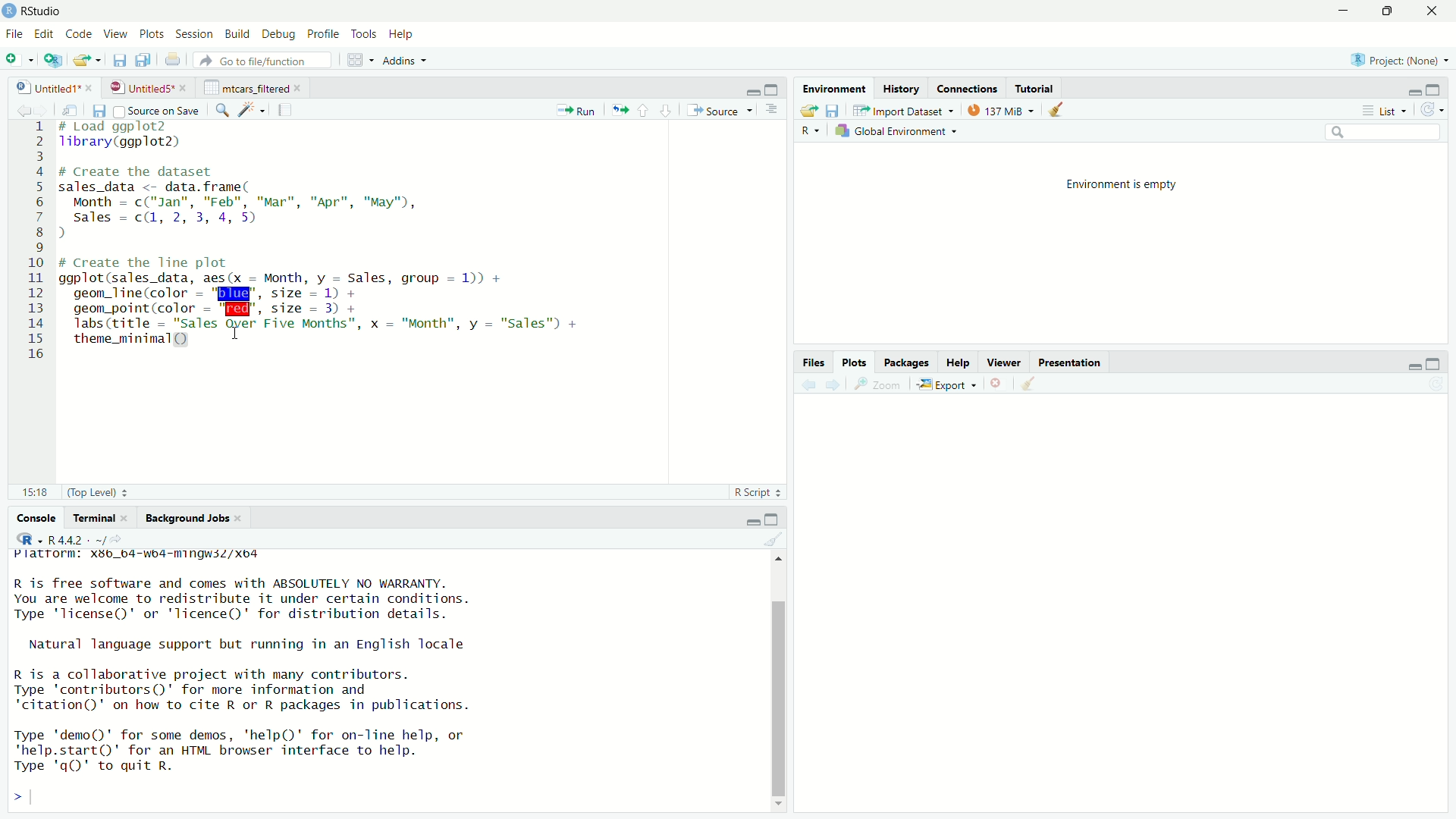 The width and height of the screenshot is (1456, 819). What do you see at coordinates (140, 88) in the screenshot?
I see `untitled5` at bounding box center [140, 88].